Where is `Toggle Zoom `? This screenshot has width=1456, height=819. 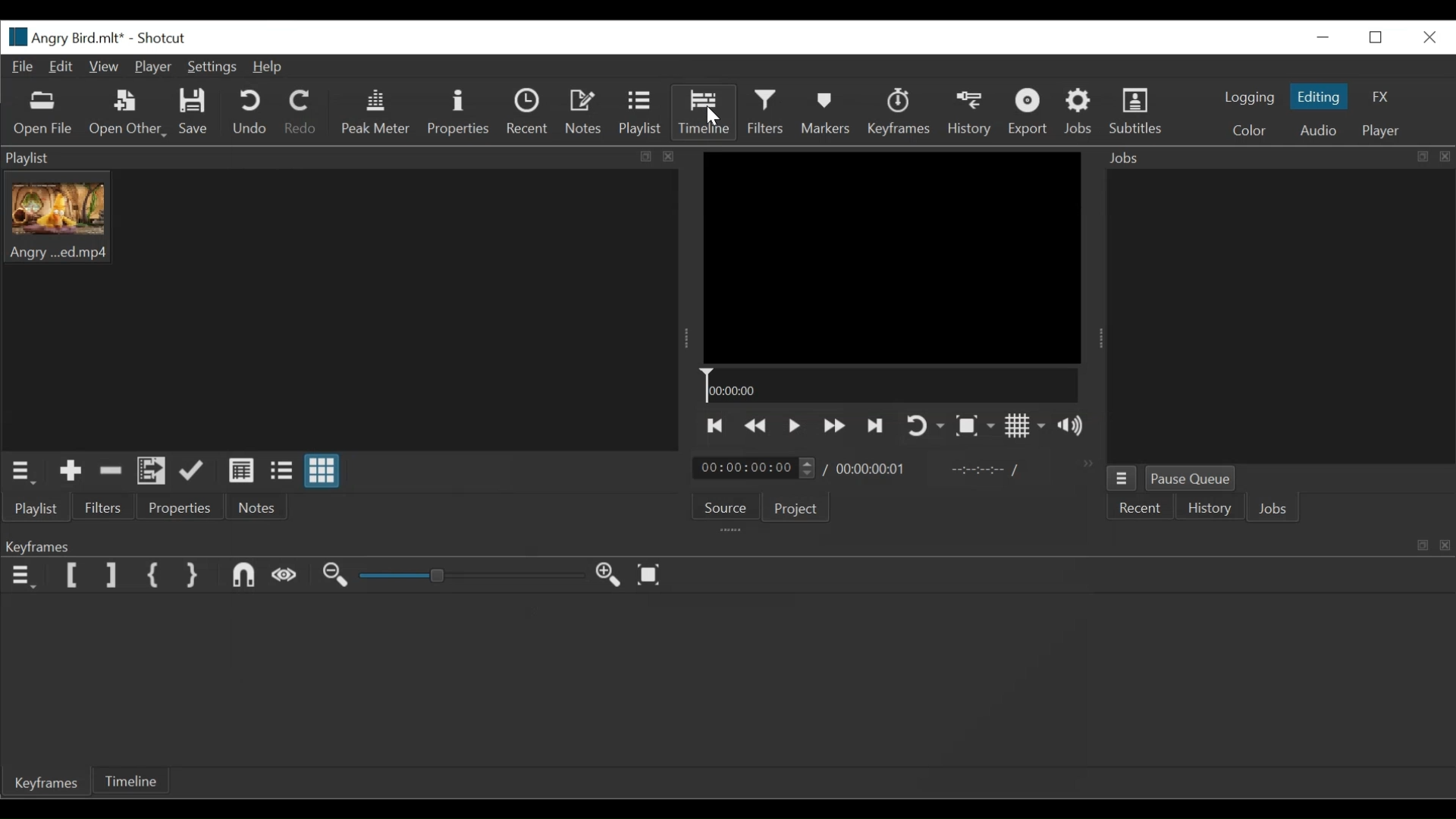
Toggle Zoom  is located at coordinates (975, 425).